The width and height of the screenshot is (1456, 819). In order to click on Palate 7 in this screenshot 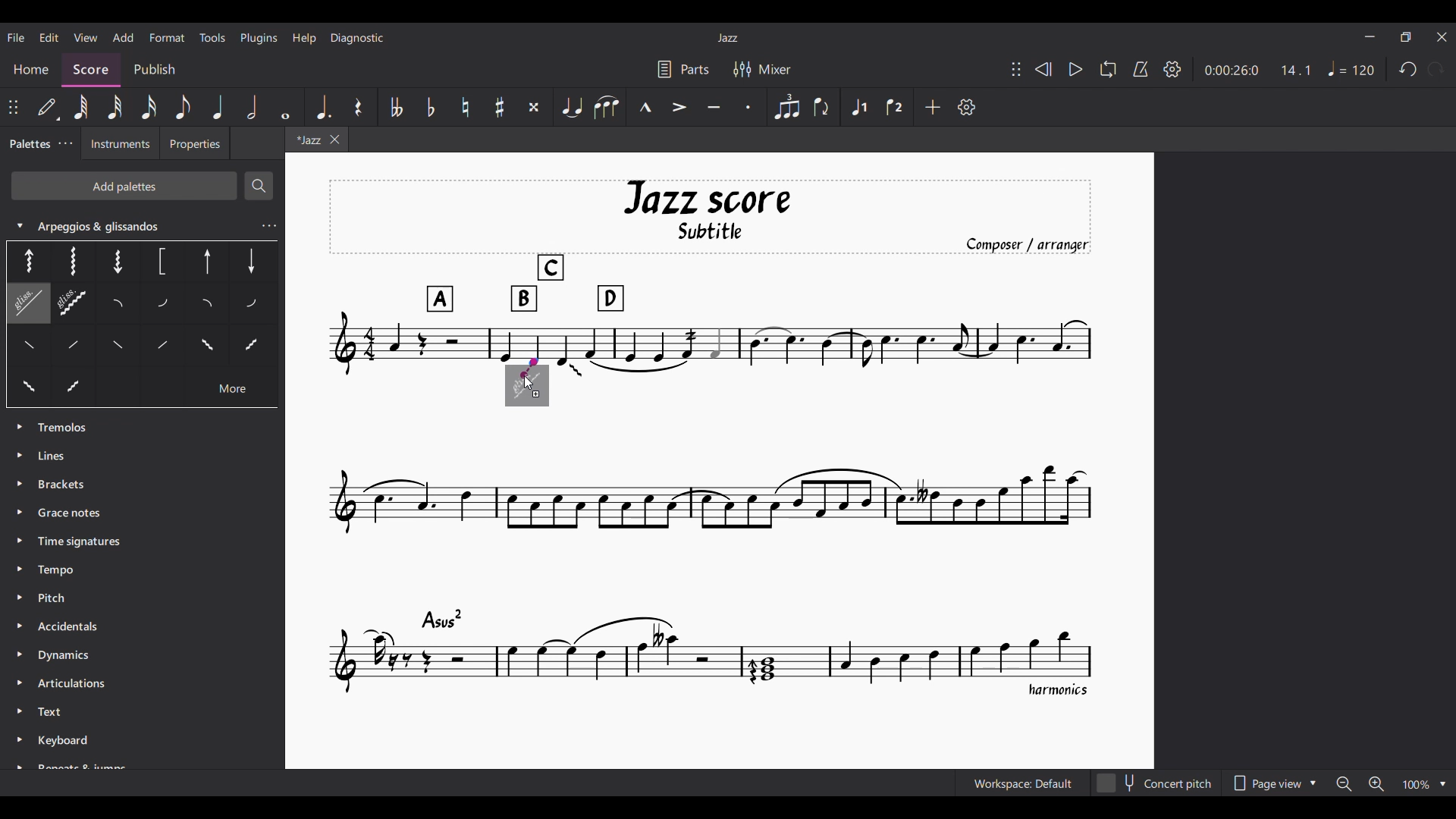, I will do `click(23, 306)`.